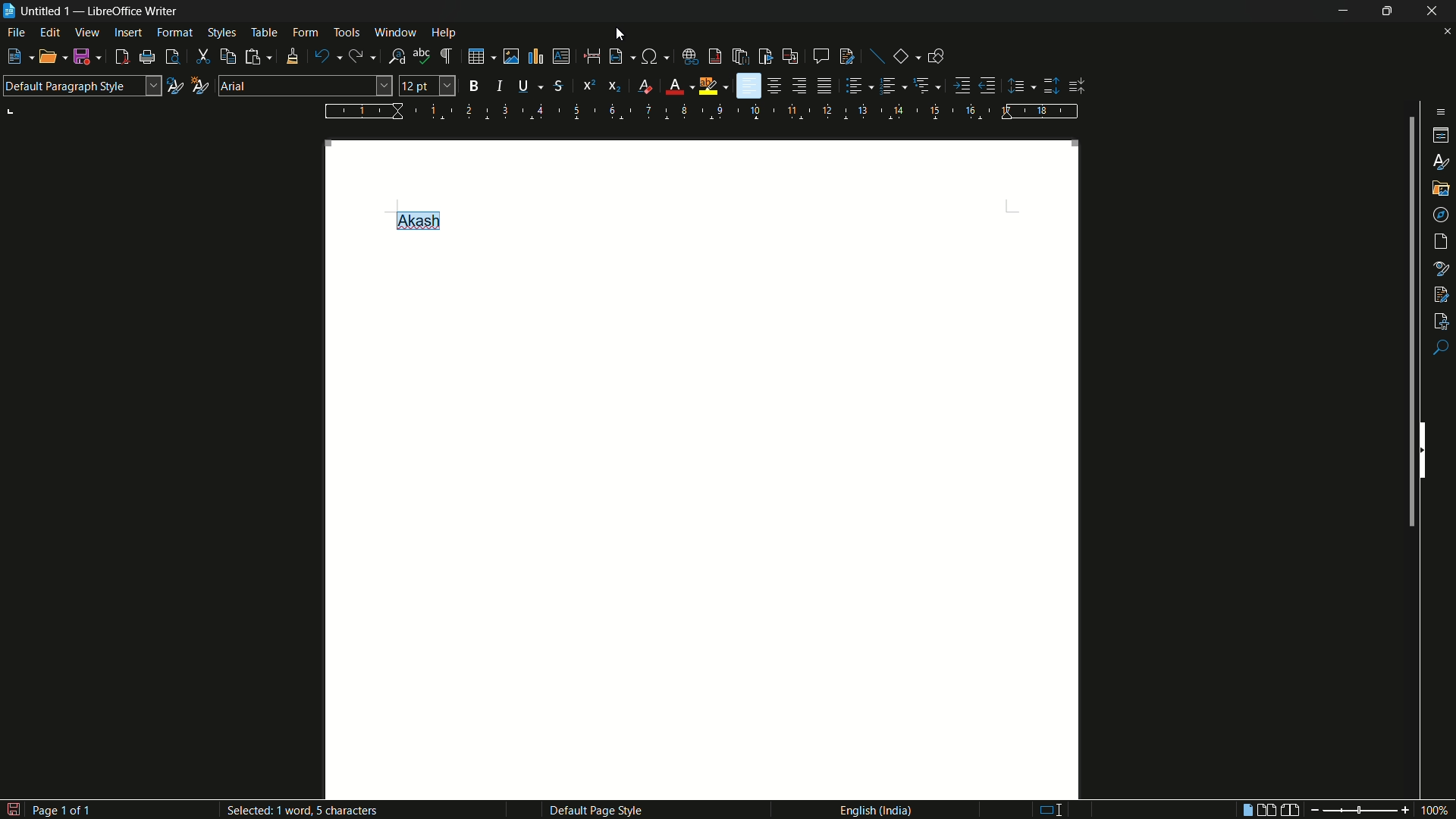 This screenshot has width=1456, height=819. What do you see at coordinates (1433, 11) in the screenshot?
I see `close app` at bounding box center [1433, 11].